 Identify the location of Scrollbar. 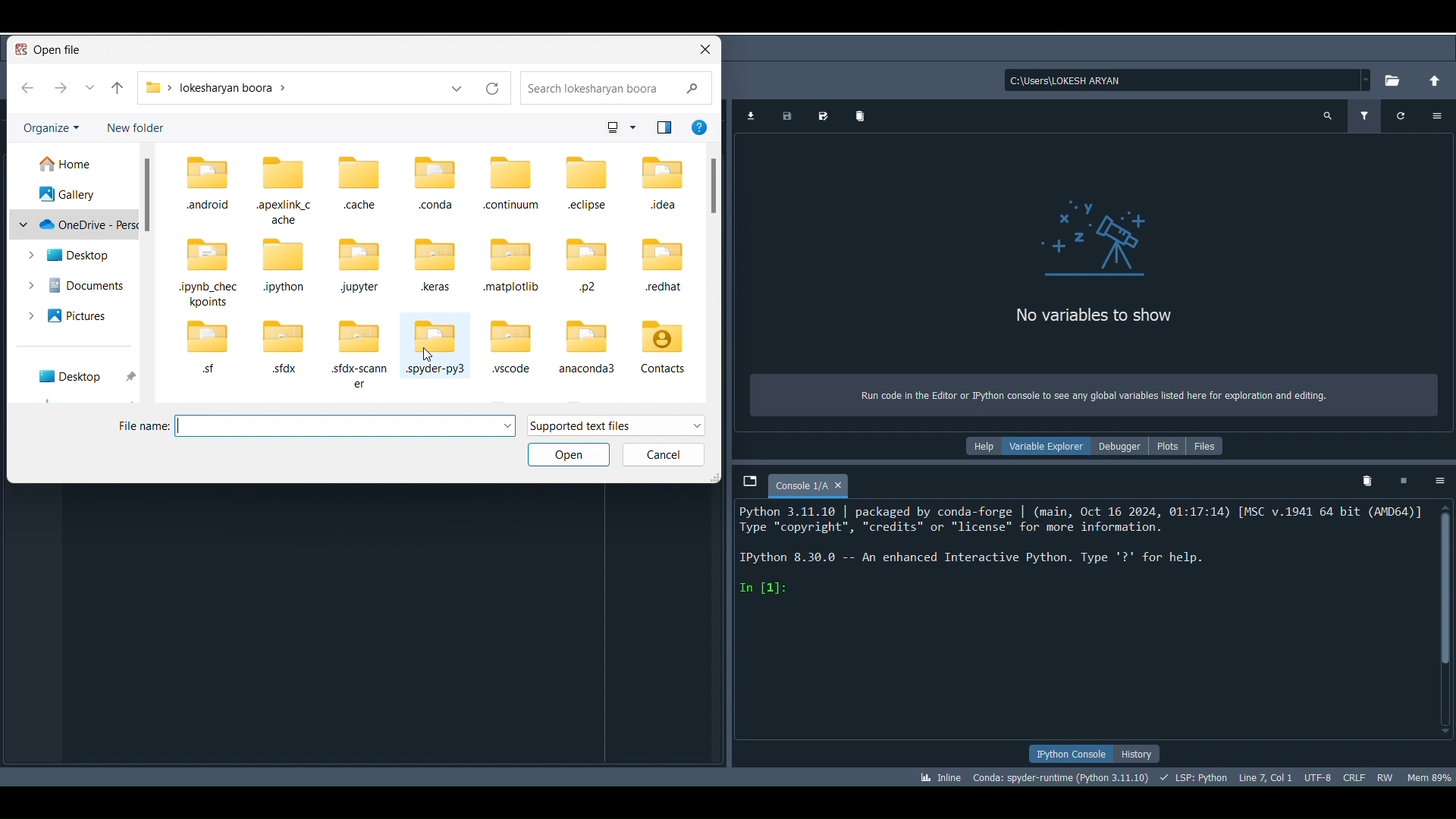
(1441, 618).